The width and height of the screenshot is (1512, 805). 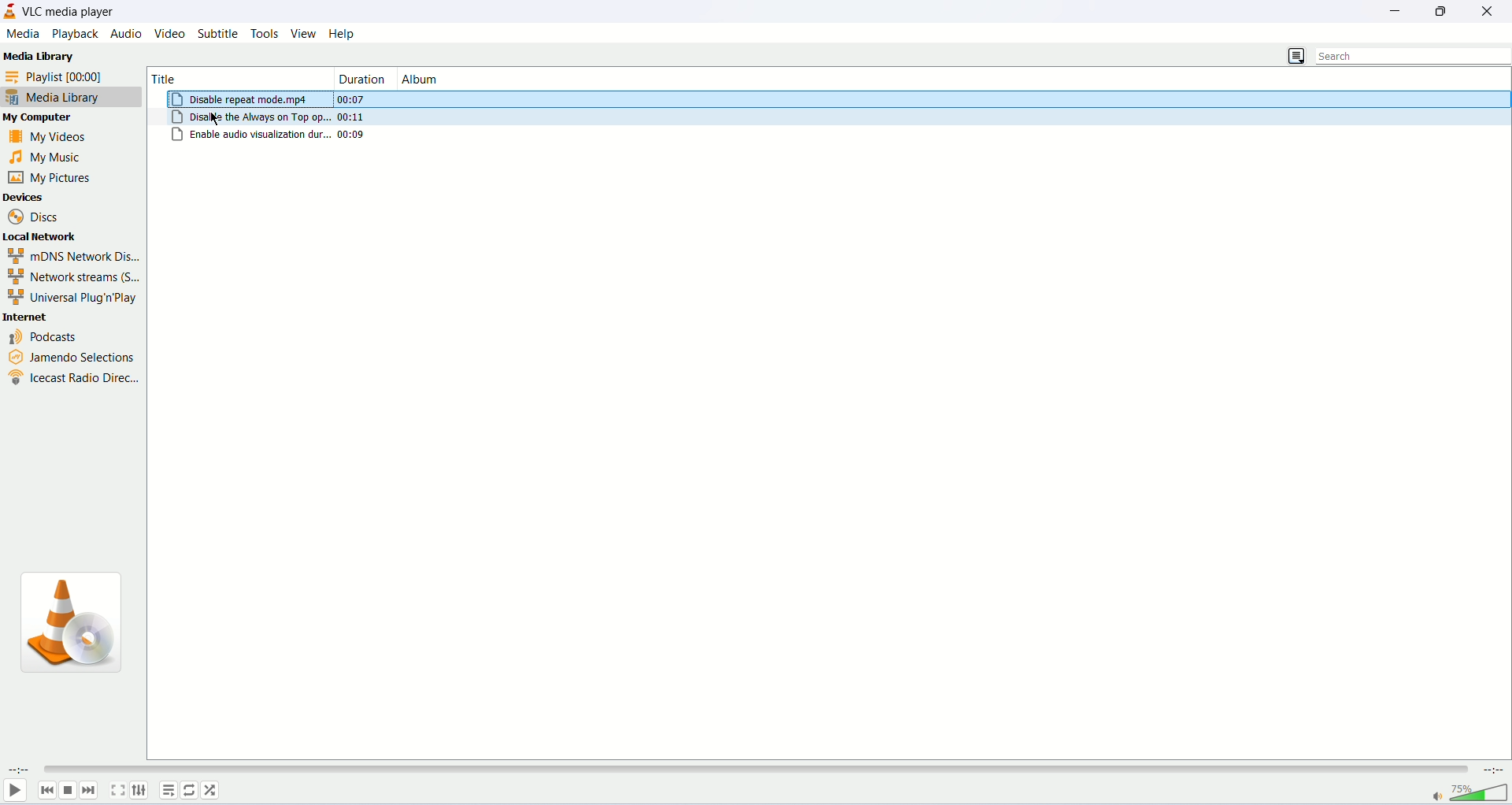 I want to click on change view, so click(x=1295, y=57).